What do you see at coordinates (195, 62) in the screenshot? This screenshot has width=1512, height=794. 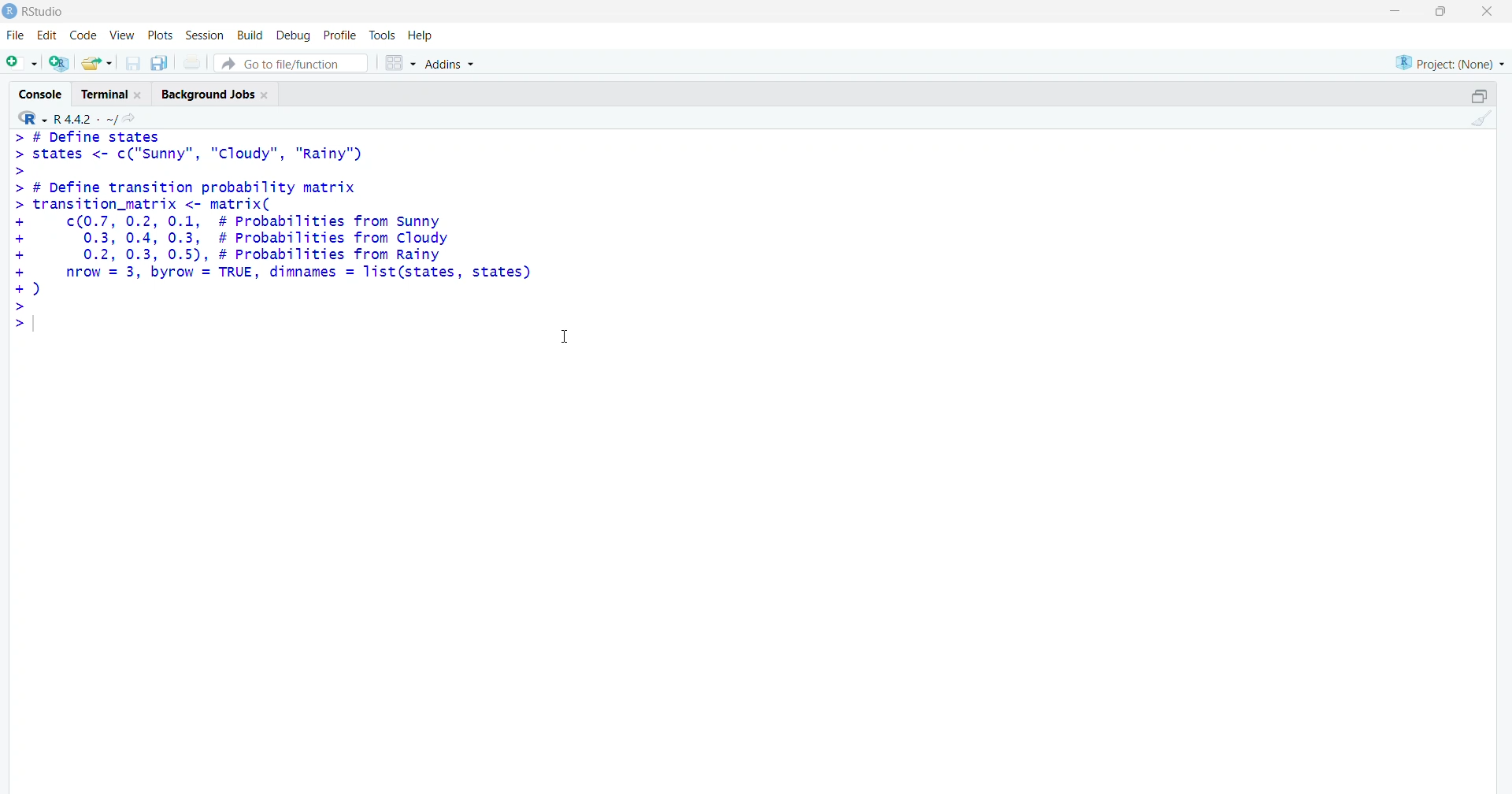 I see `print the current file` at bounding box center [195, 62].